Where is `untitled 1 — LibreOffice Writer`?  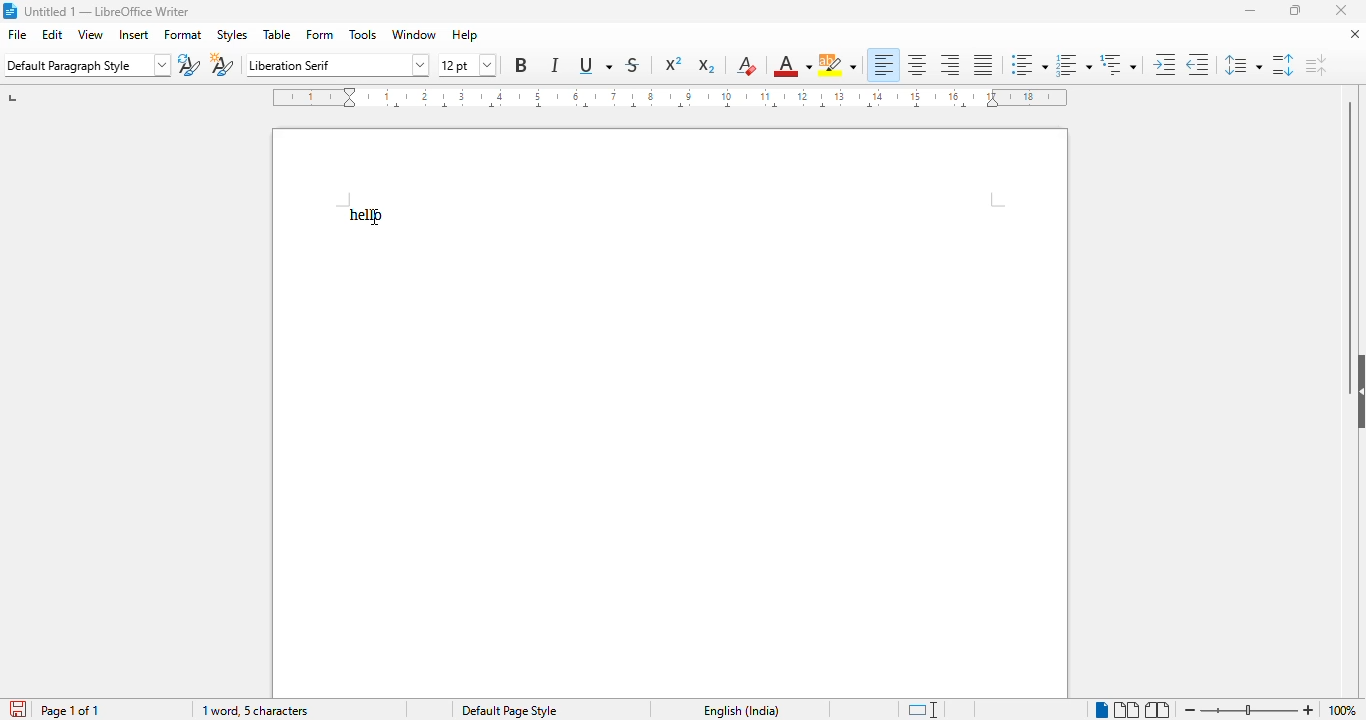
untitled 1 — LibreOffice Writer is located at coordinates (114, 13).